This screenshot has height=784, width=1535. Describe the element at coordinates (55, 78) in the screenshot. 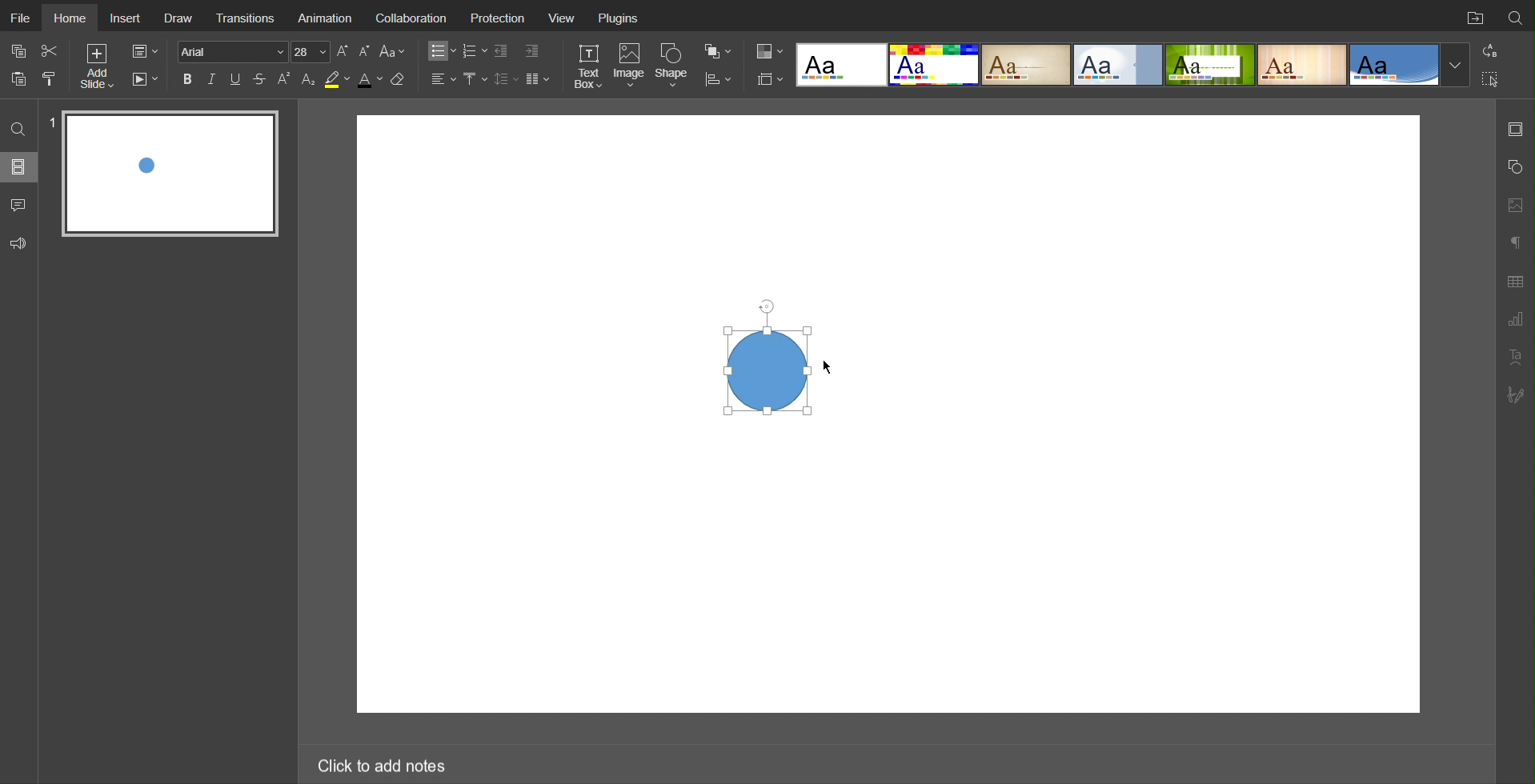

I see `copy style` at that location.